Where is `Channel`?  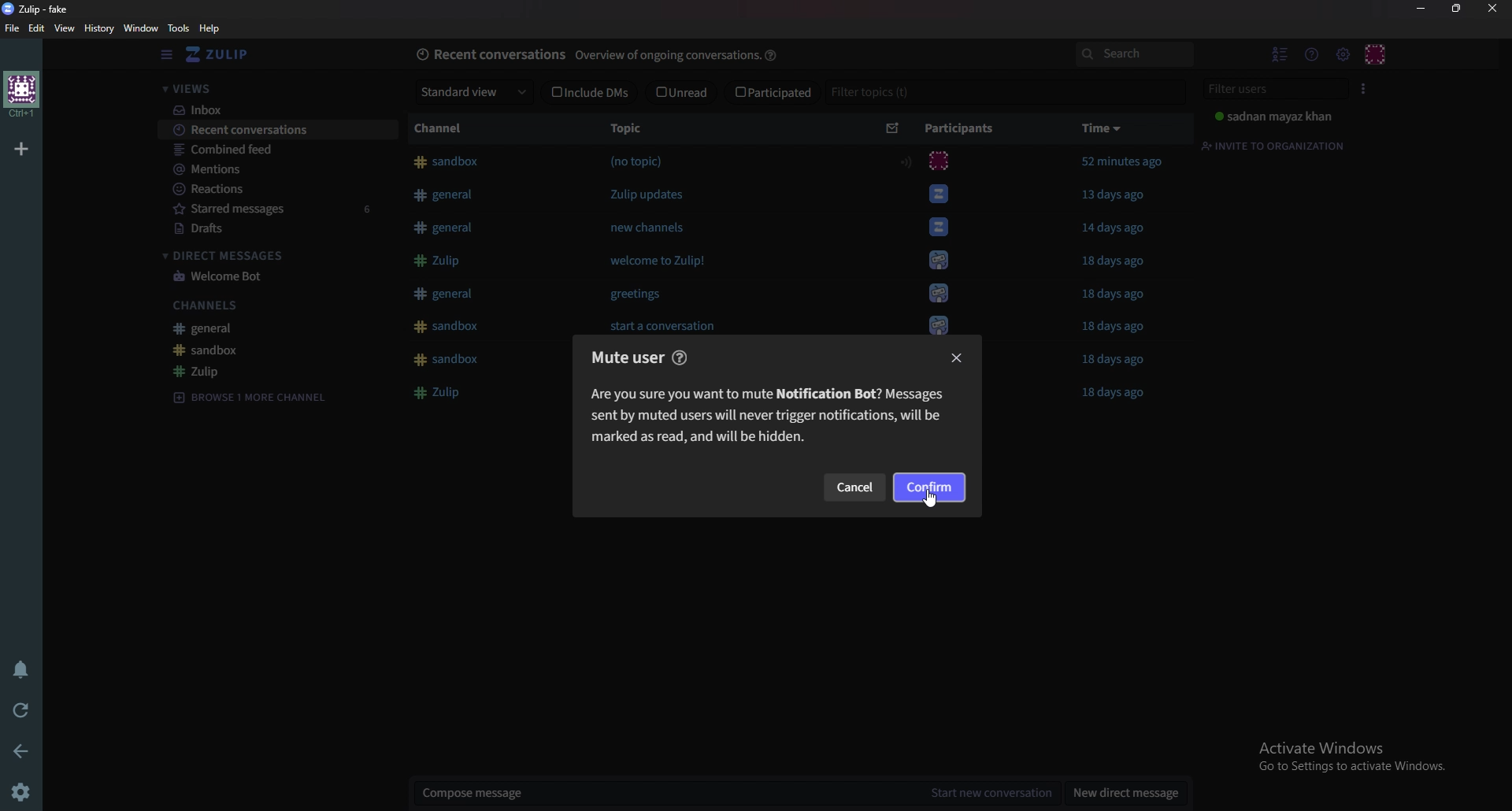 Channel is located at coordinates (447, 127).